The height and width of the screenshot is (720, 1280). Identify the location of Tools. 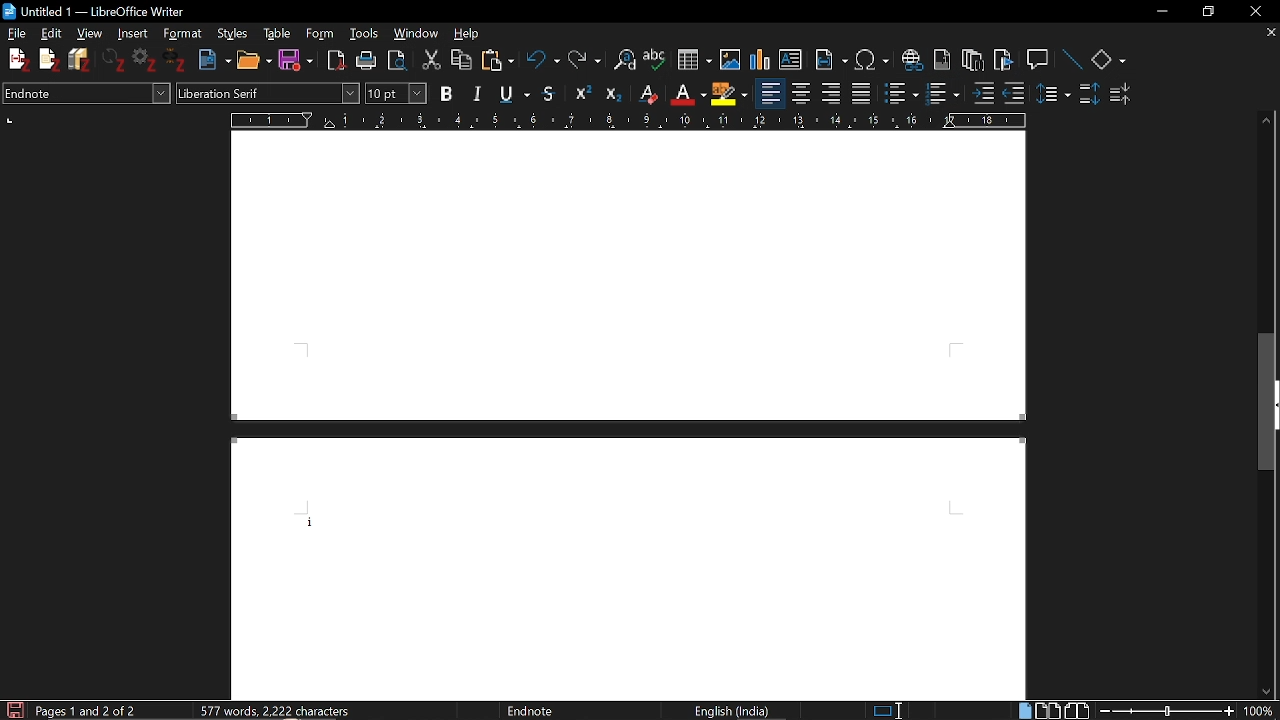
(365, 32).